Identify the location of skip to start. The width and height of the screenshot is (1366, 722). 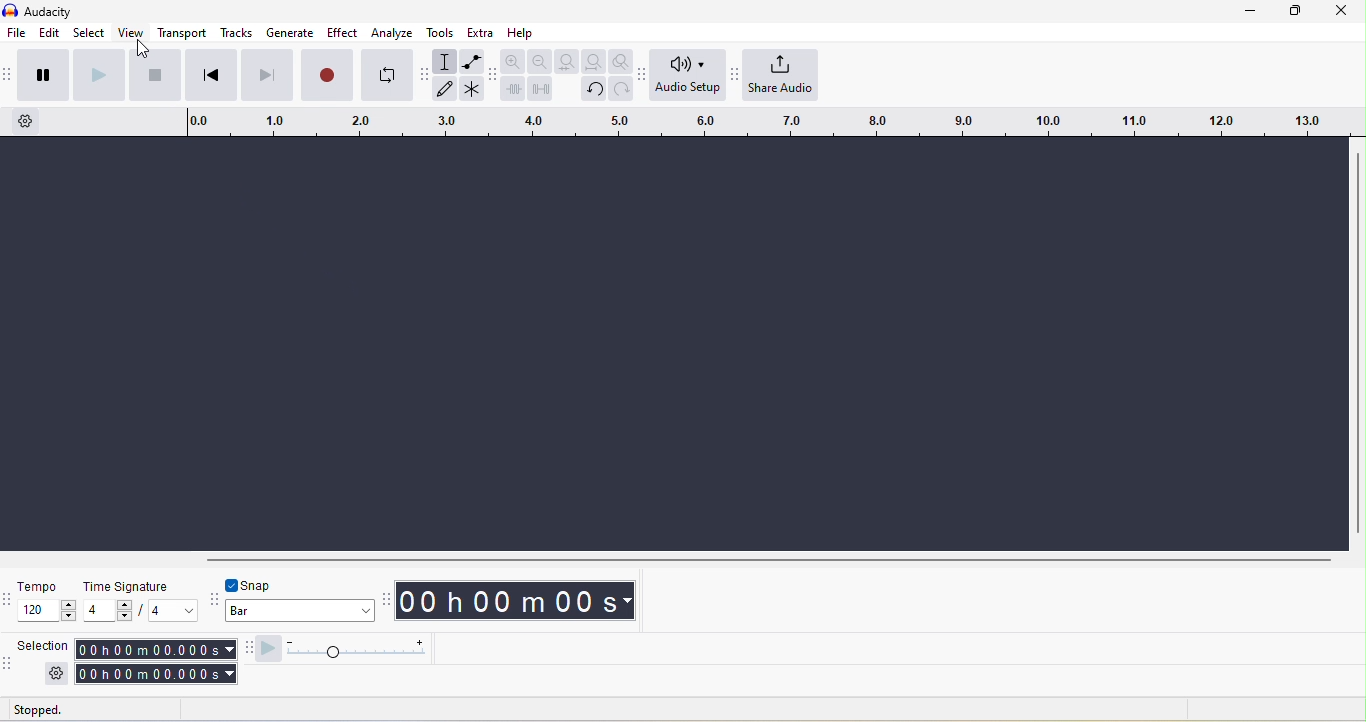
(212, 75).